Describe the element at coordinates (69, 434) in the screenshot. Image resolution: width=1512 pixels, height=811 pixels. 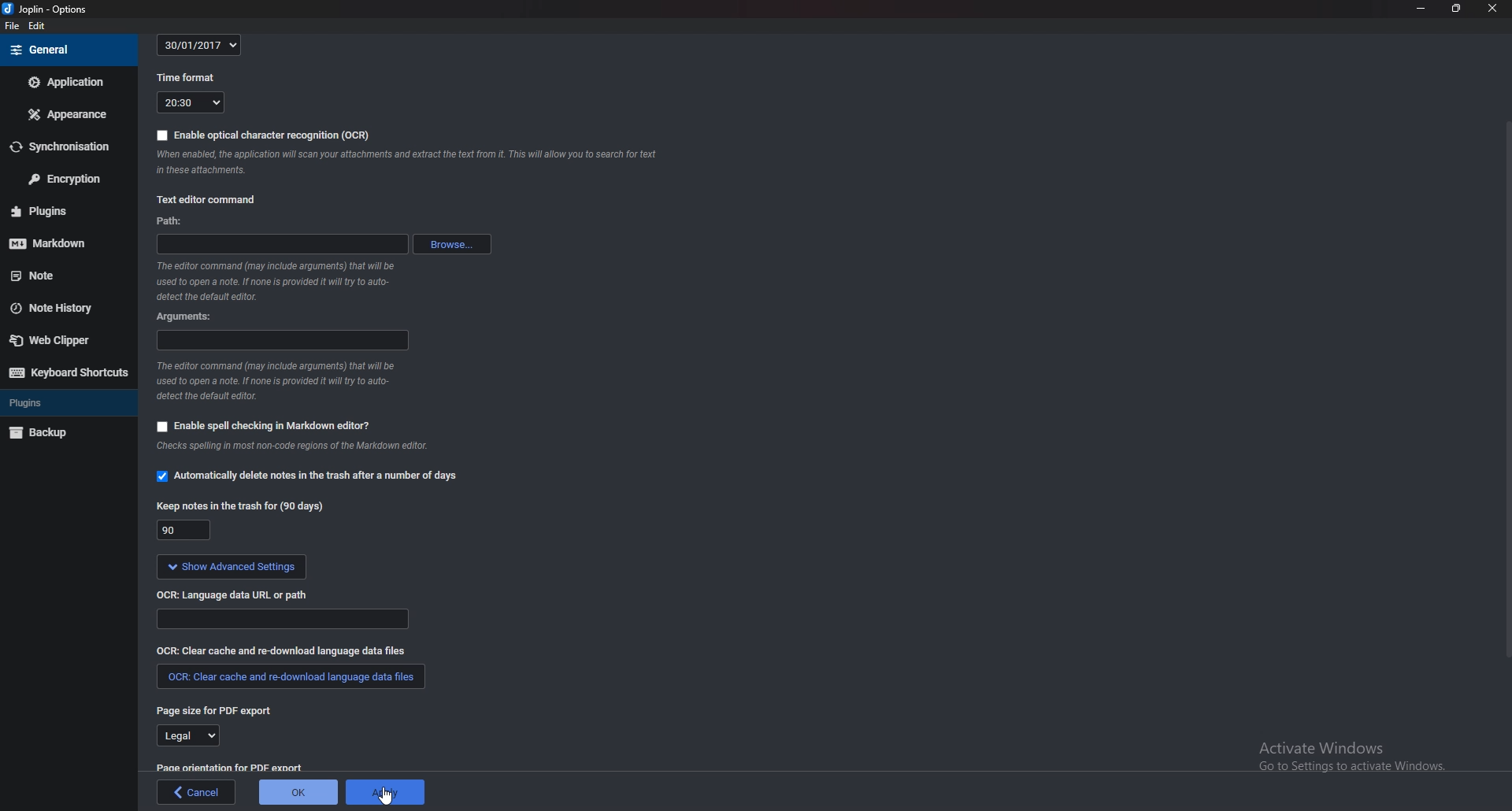
I see `Back up` at that location.